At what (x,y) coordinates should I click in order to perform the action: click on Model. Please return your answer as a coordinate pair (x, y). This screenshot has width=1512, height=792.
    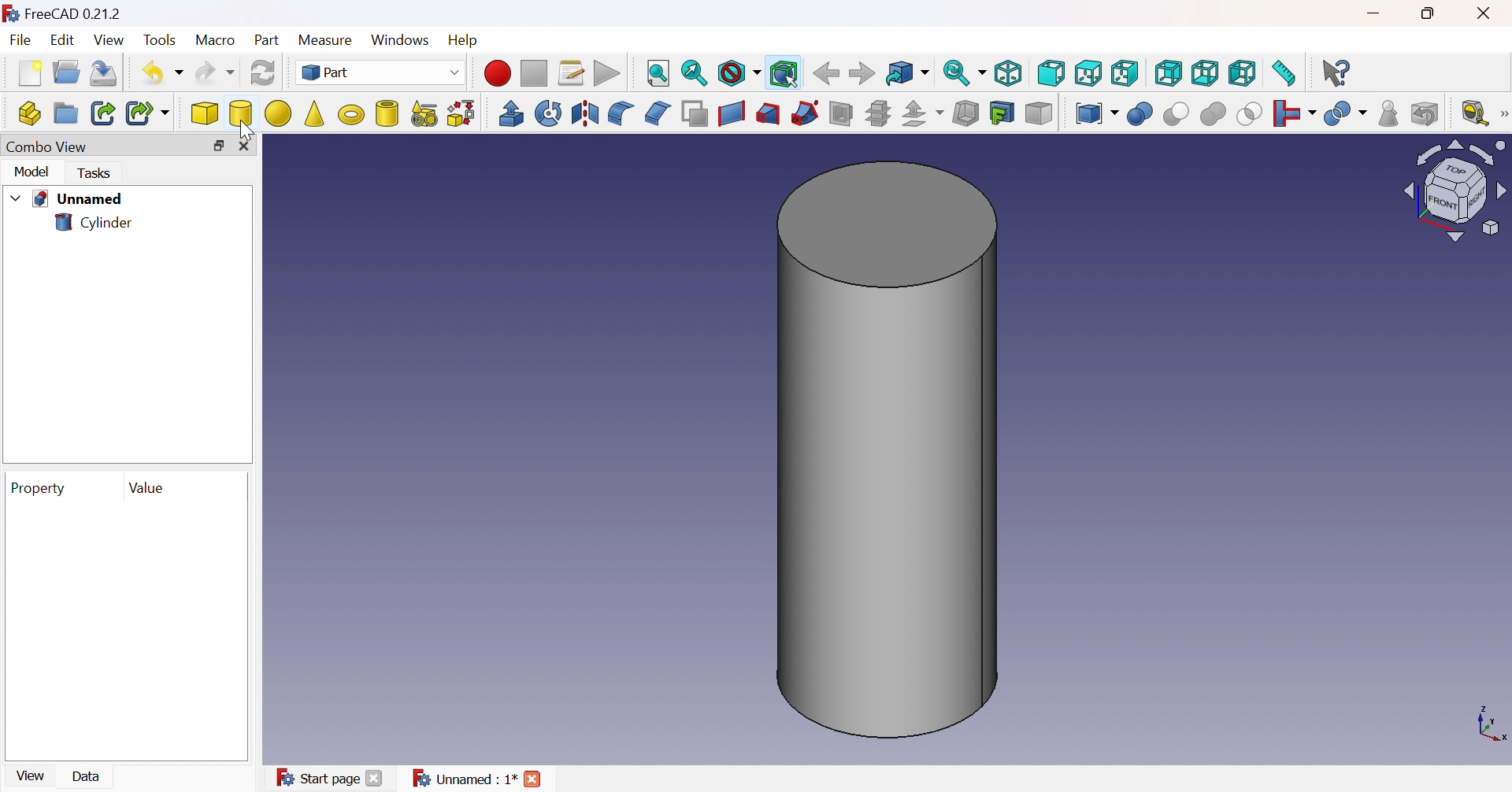
    Looking at the image, I should click on (34, 173).